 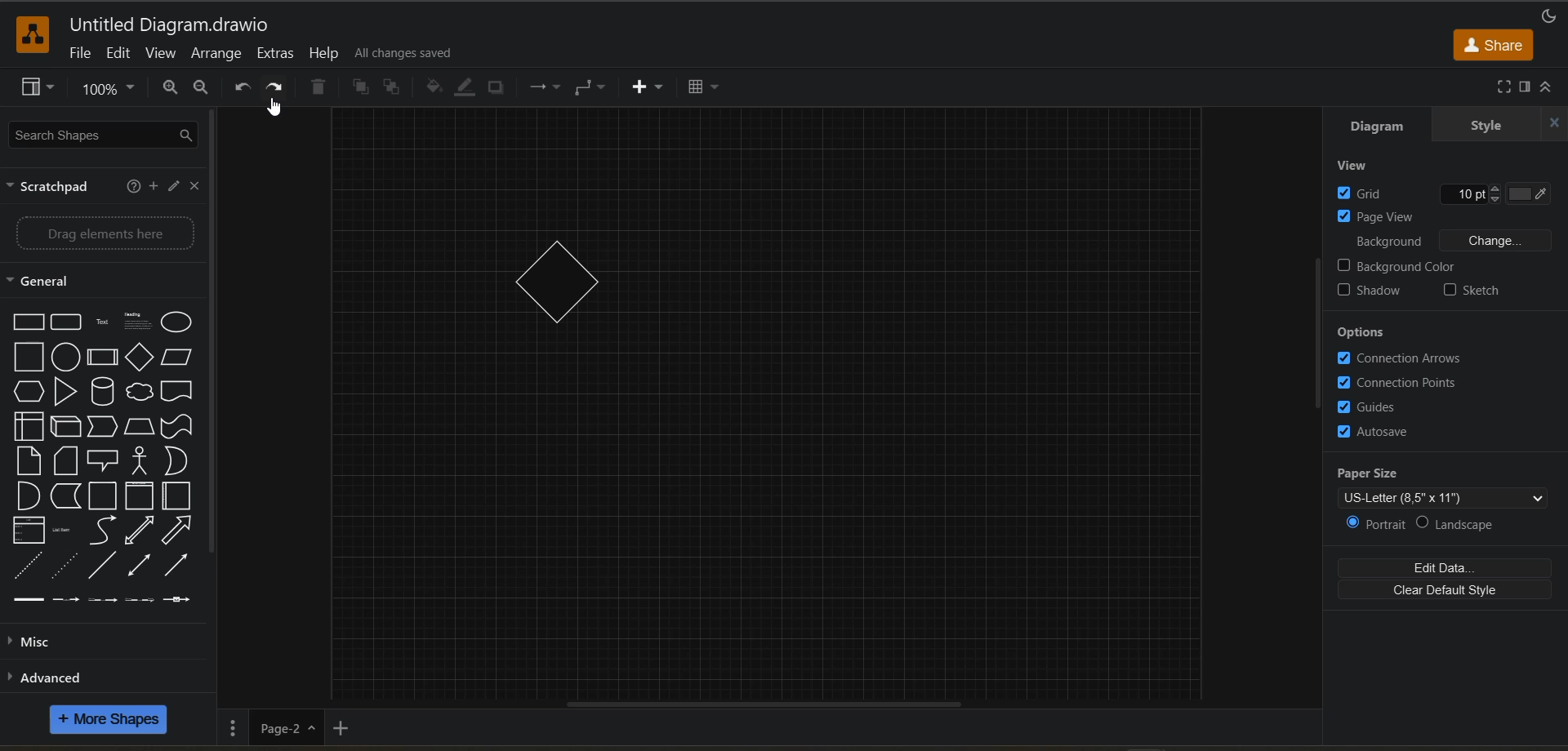 I want to click on file name and app title, so click(x=176, y=26).